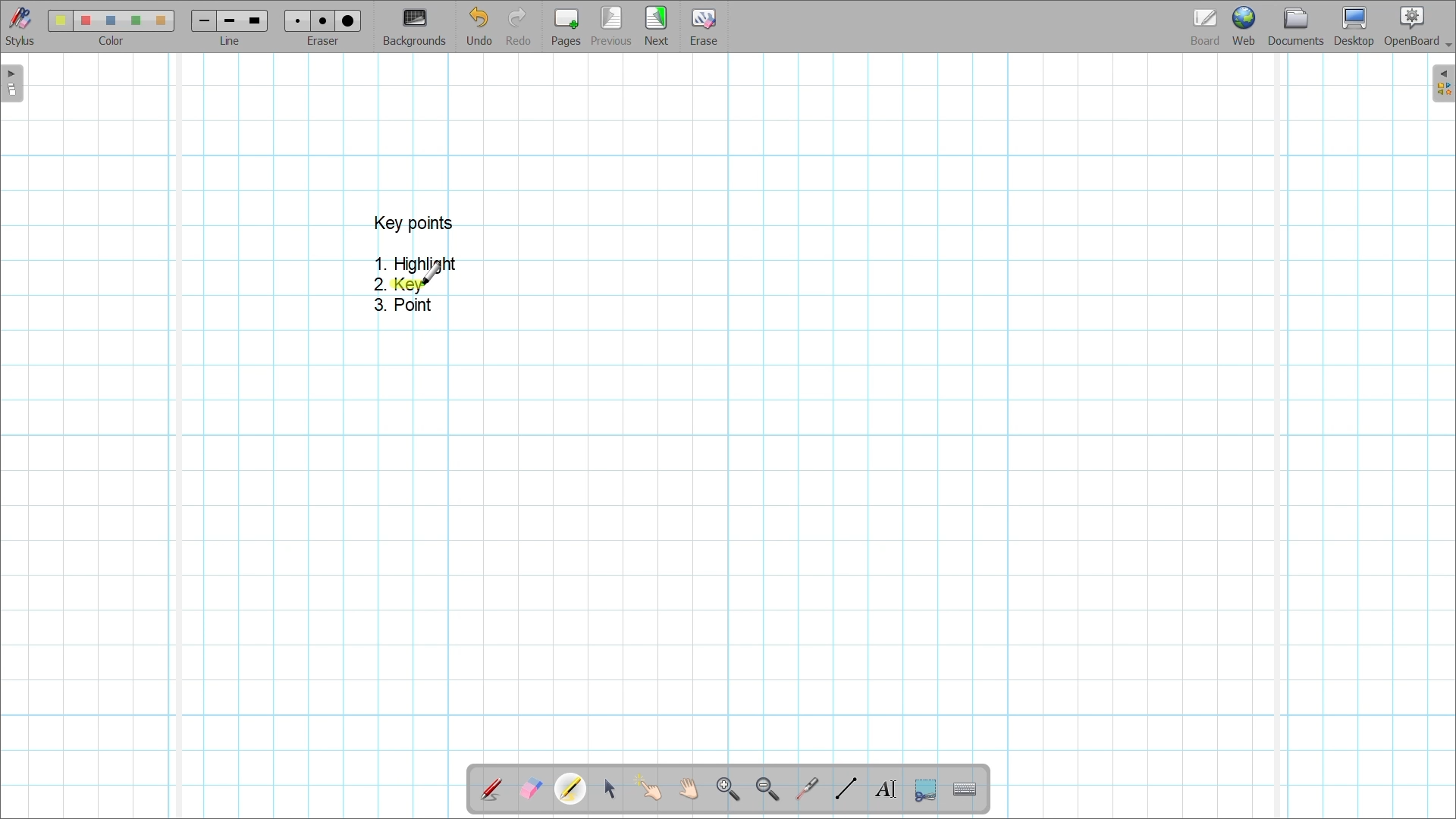 The width and height of the screenshot is (1456, 819). I want to click on color 2, so click(85, 21).